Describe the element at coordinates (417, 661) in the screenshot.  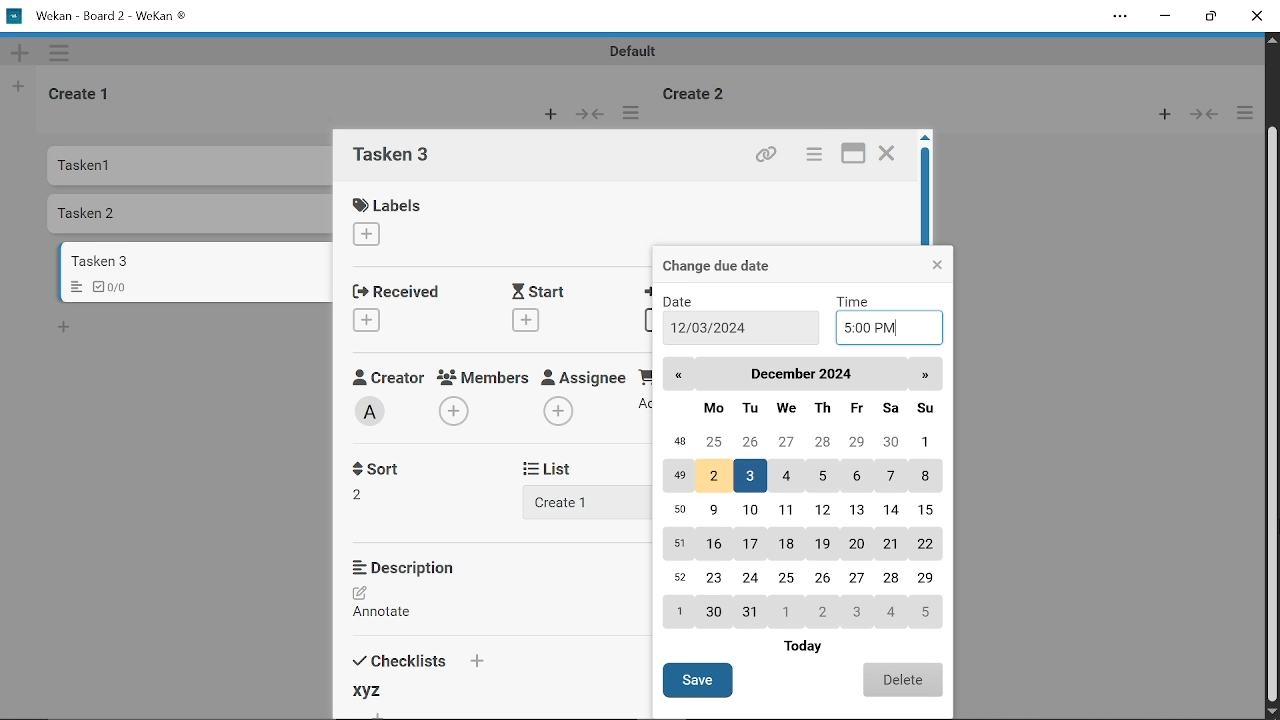
I see `Checklists` at that location.